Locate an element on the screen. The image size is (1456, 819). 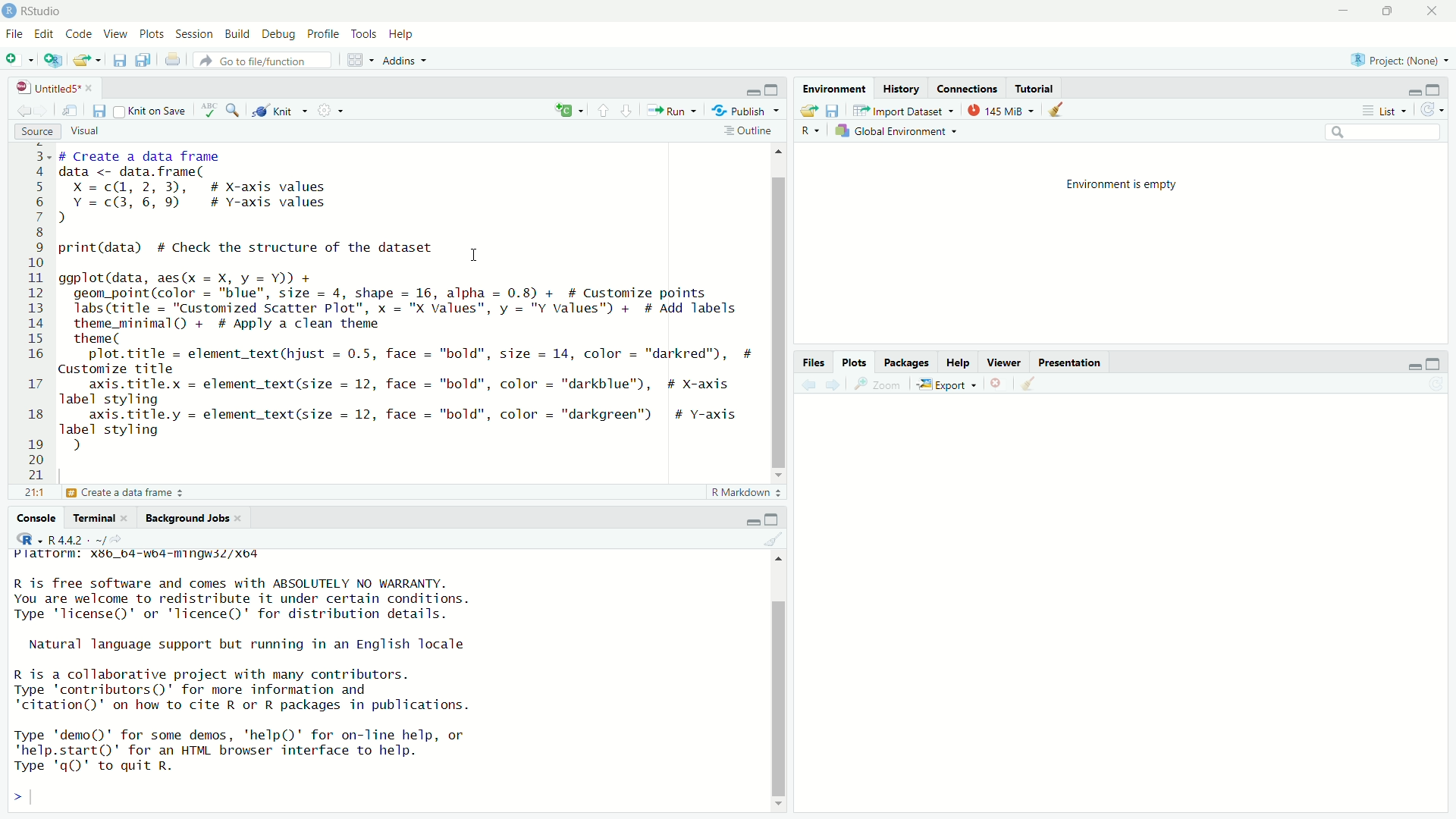
R Markdown is located at coordinates (746, 494).